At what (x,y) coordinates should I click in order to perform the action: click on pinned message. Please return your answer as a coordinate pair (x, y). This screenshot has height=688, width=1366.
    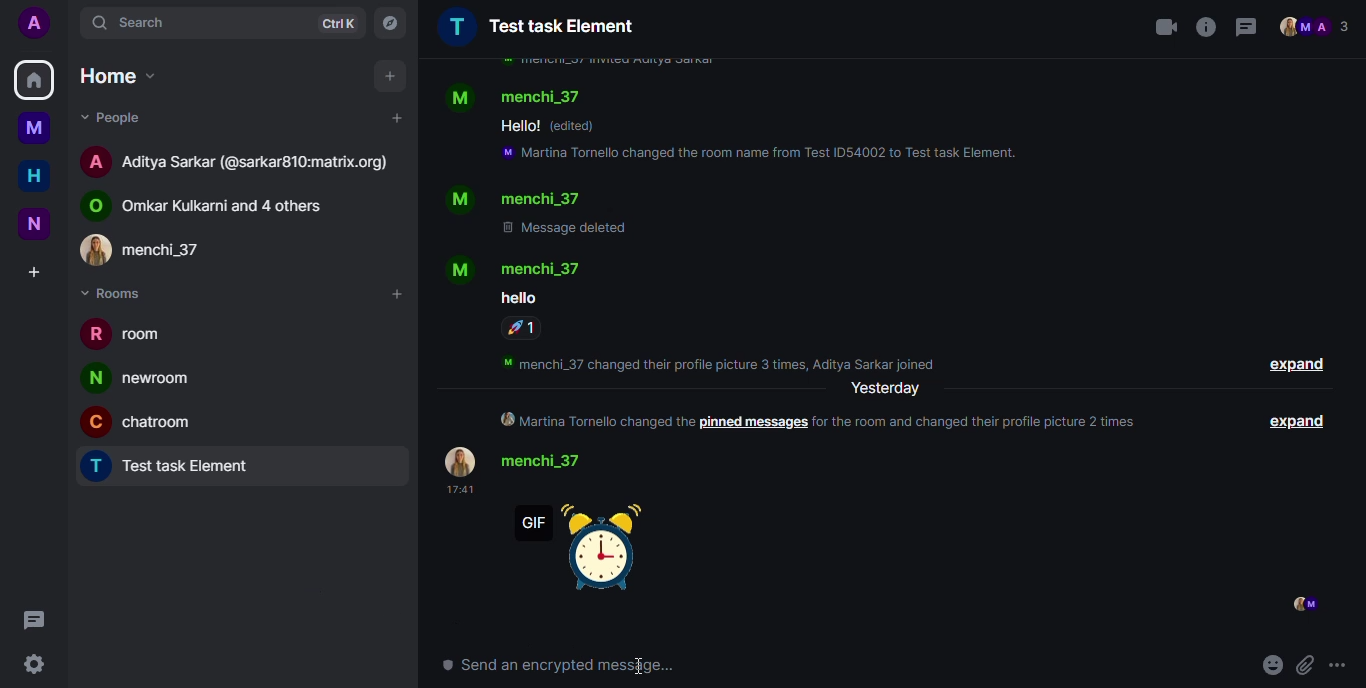
    Looking at the image, I should click on (753, 423).